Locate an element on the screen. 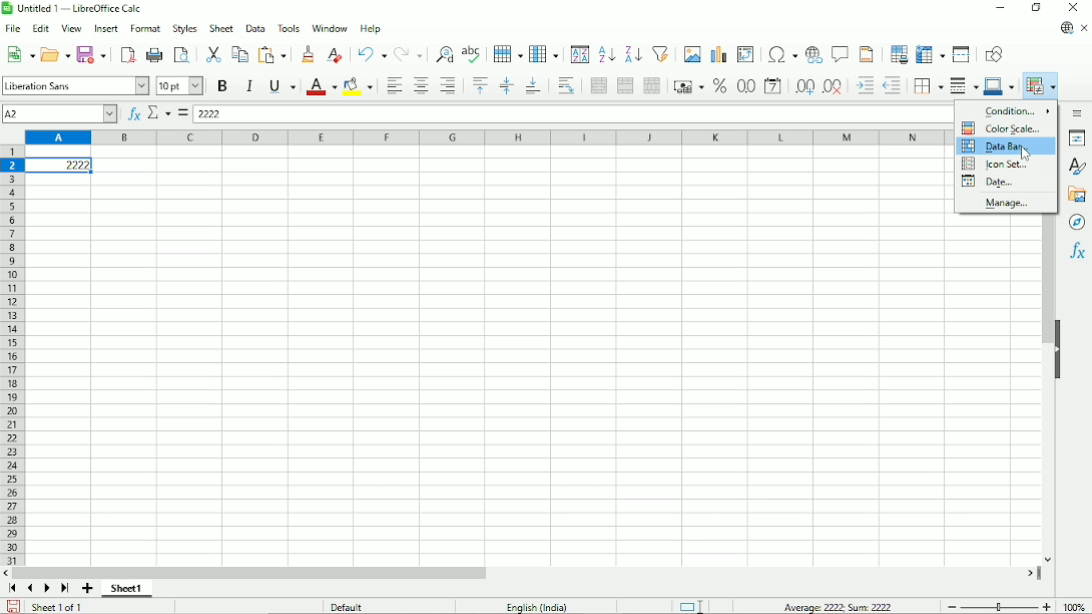  Average: 2222; Sum: 2222 is located at coordinates (838, 606).